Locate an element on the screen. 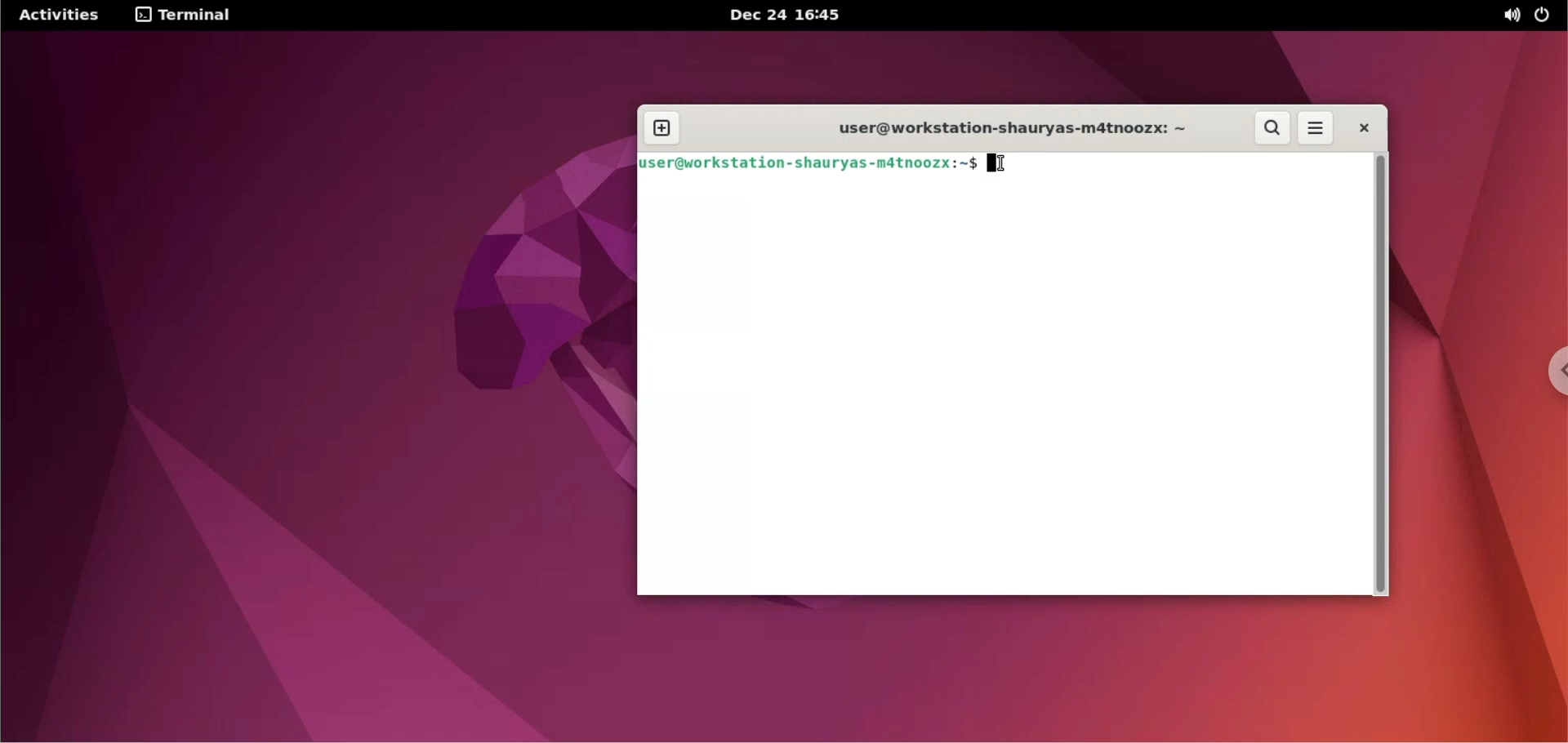 The image size is (1568, 743). user@workstation-shauyas-m4tnoozx: ~$ is located at coordinates (811, 164).